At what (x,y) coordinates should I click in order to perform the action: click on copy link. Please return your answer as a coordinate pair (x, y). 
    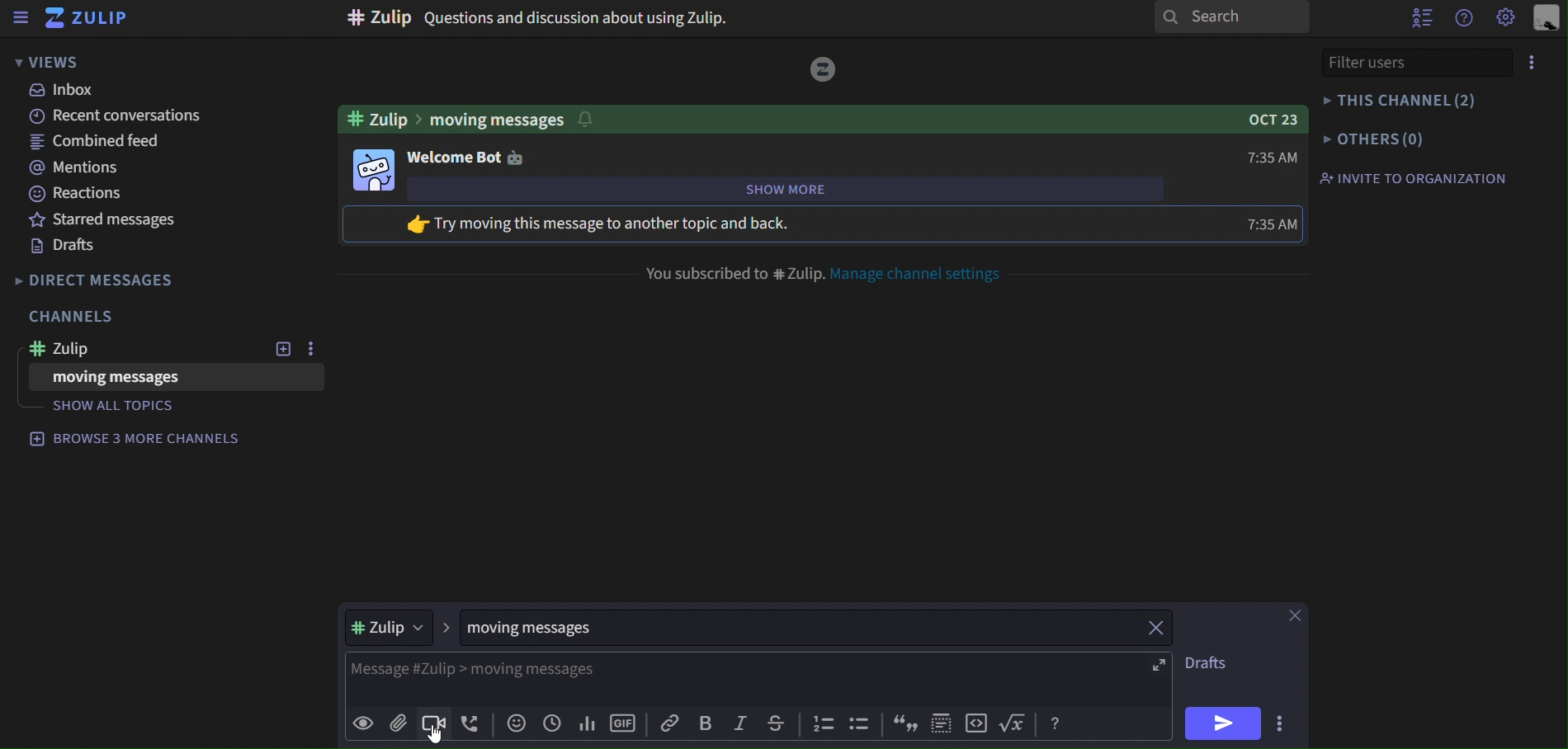
    Looking at the image, I should click on (670, 725).